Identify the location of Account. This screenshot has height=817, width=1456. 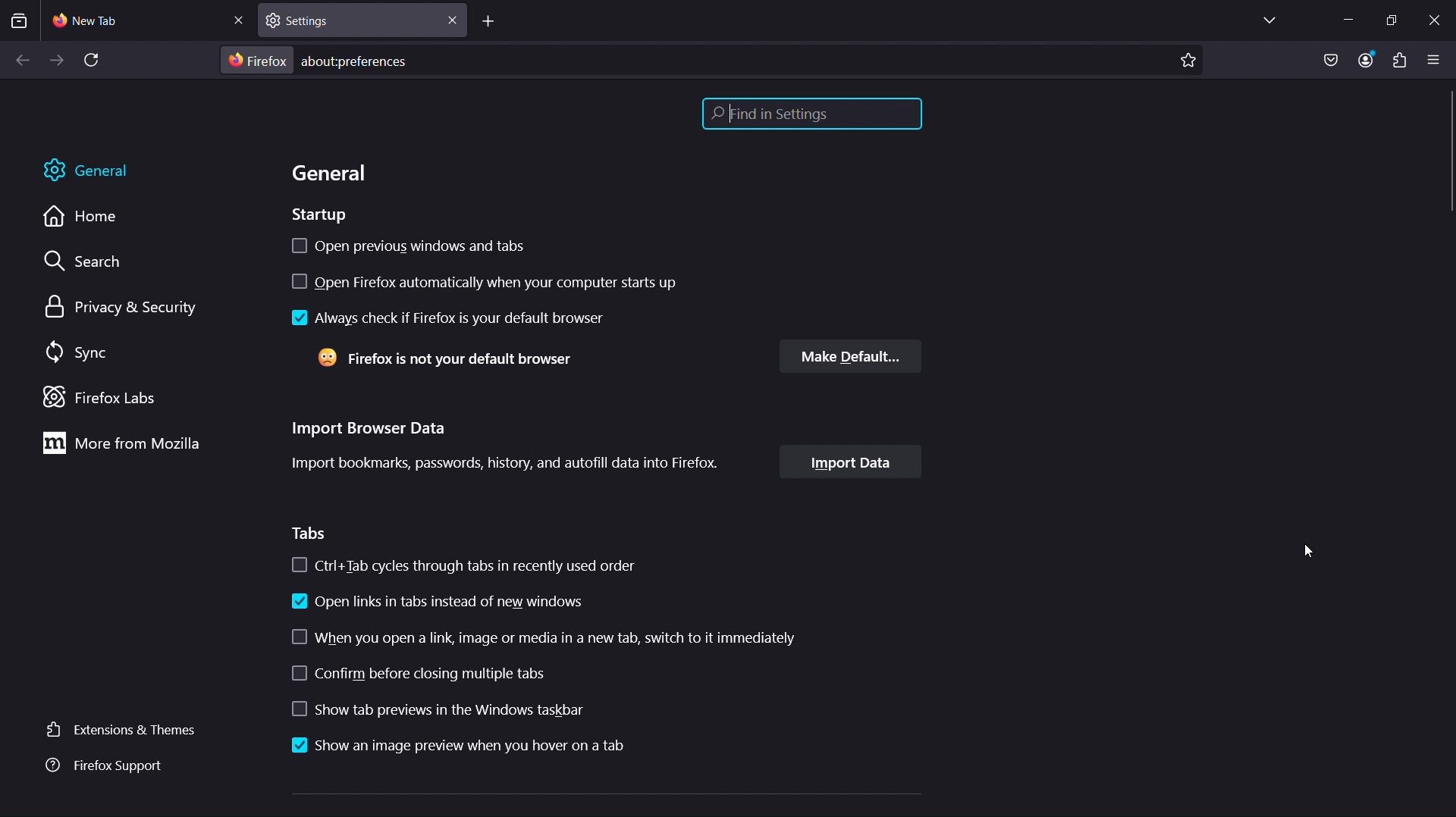
(1369, 60).